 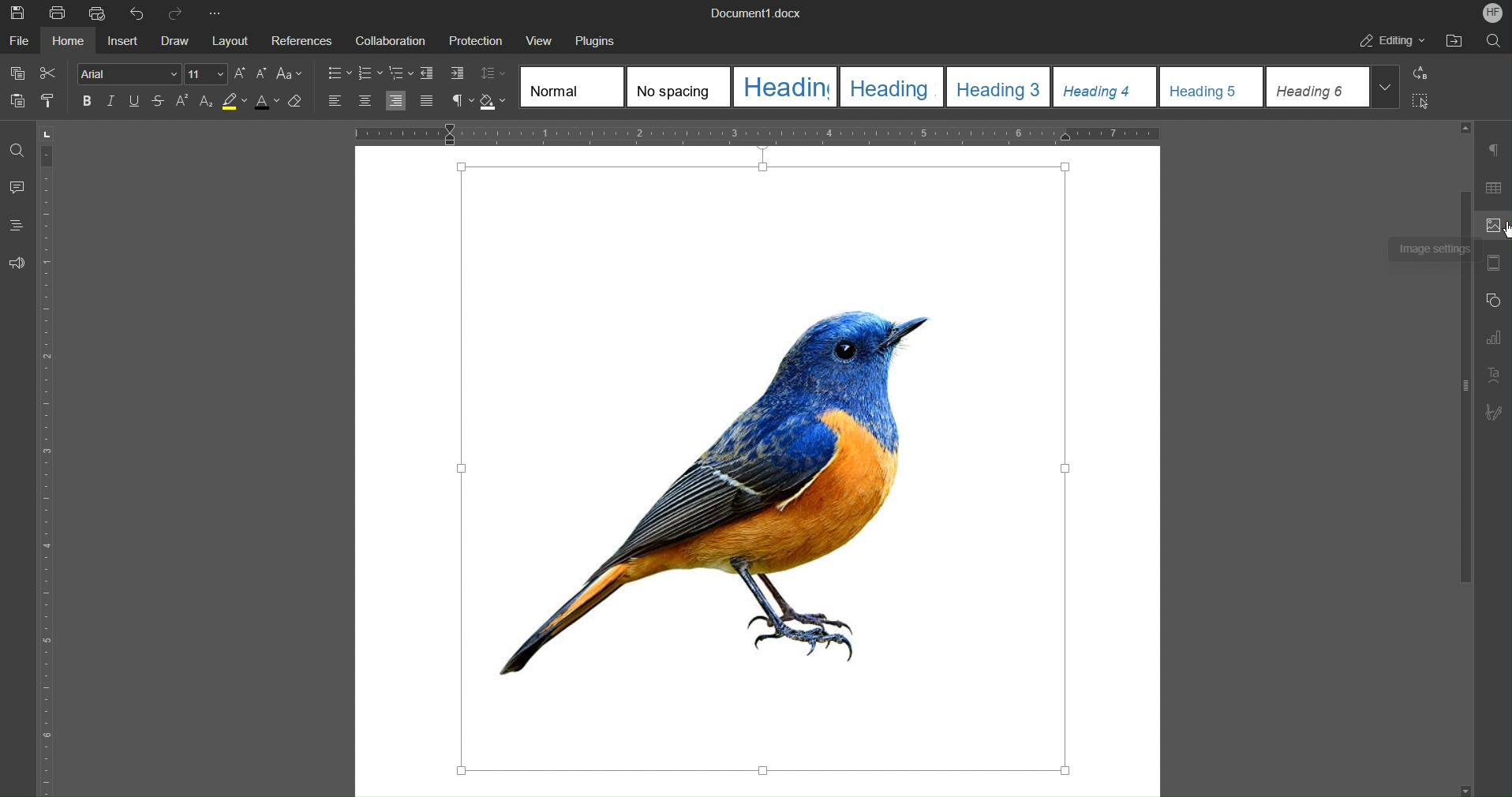 What do you see at coordinates (784, 86) in the screenshot?
I see `Heading` at bounding box center [784, 86].